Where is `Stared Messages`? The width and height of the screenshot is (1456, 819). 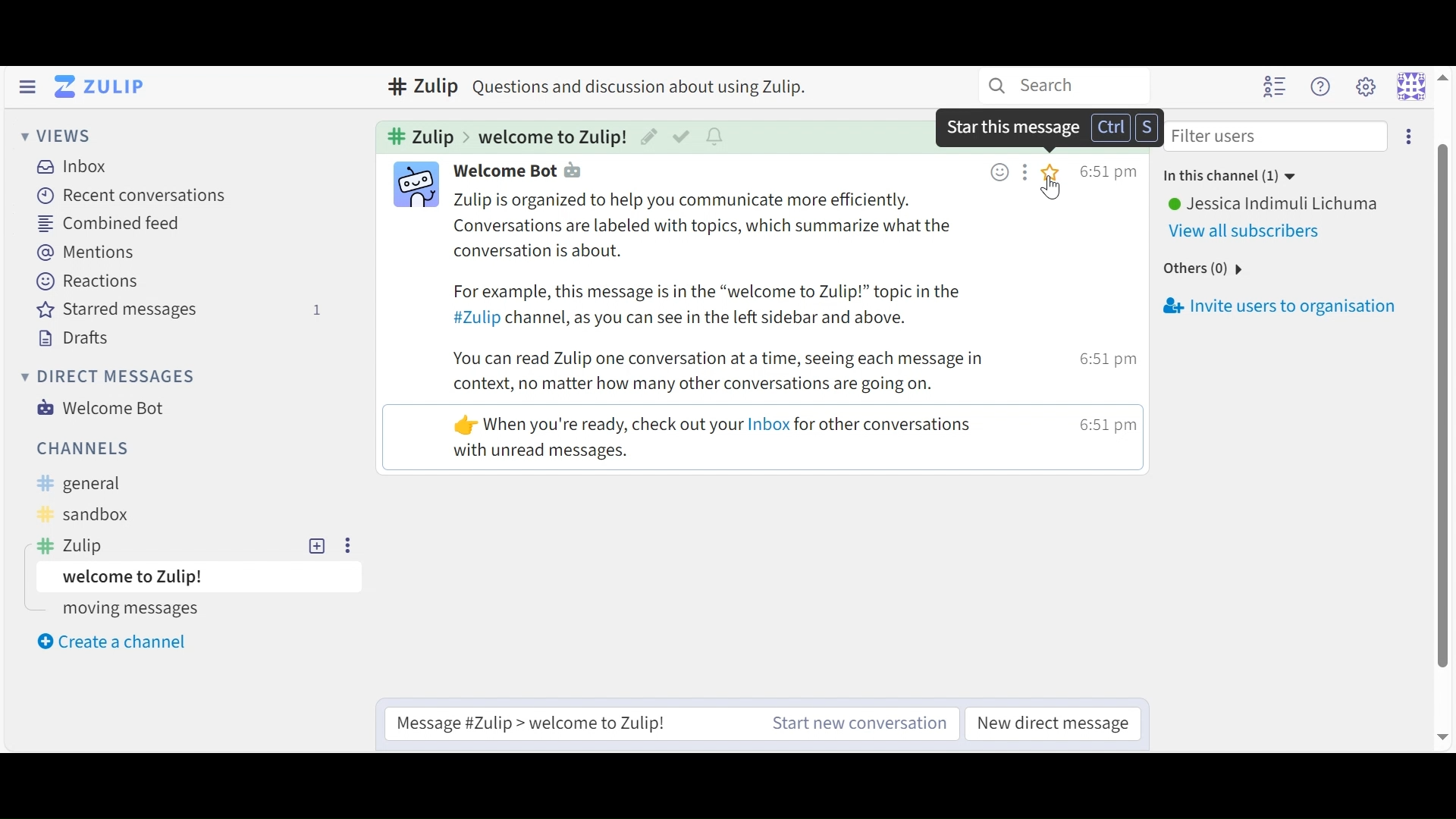
Stared Messages is located at coordinates (177, 309).